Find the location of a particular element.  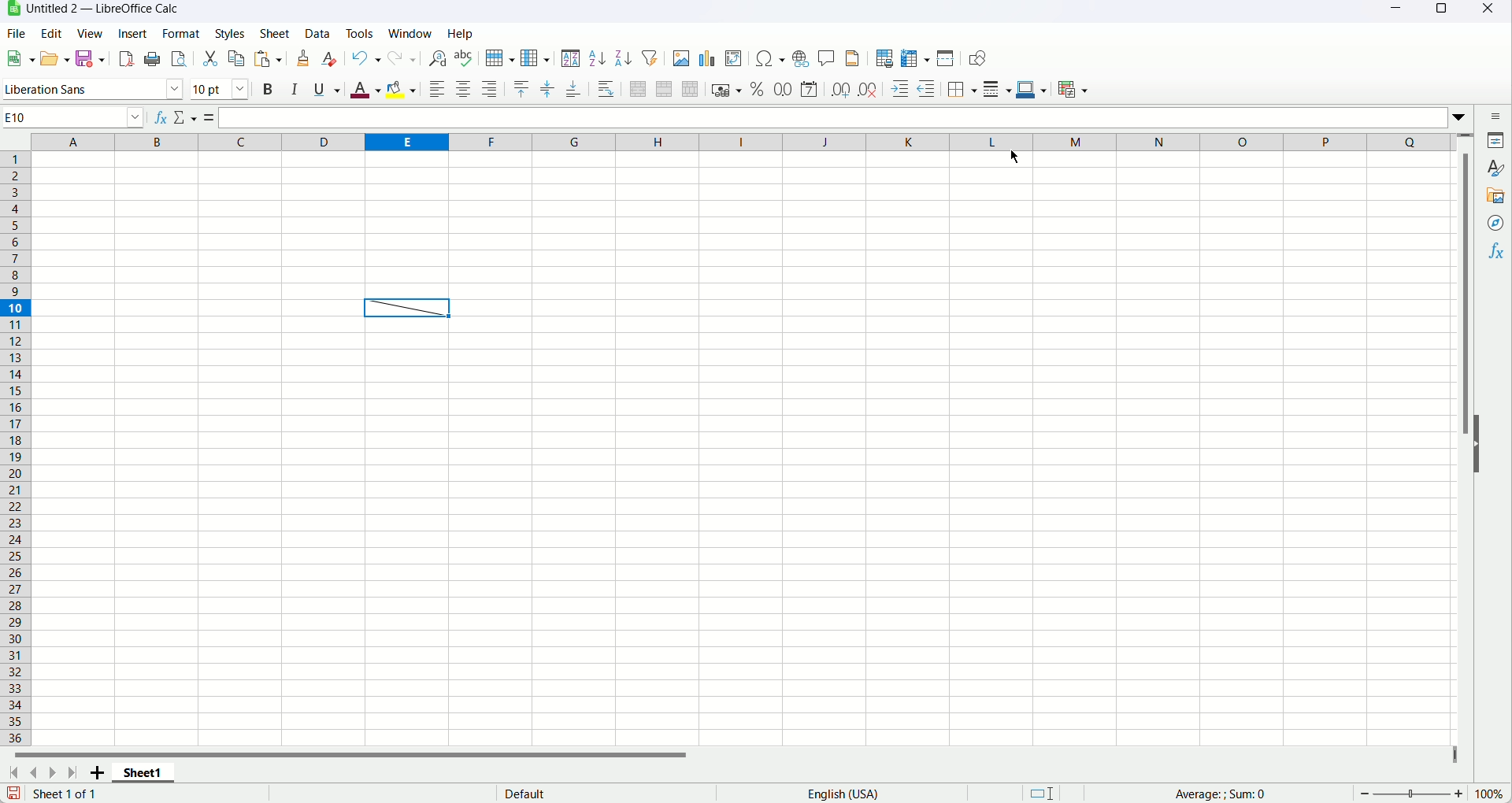

Find and replace is located at coordinates (435, 58).